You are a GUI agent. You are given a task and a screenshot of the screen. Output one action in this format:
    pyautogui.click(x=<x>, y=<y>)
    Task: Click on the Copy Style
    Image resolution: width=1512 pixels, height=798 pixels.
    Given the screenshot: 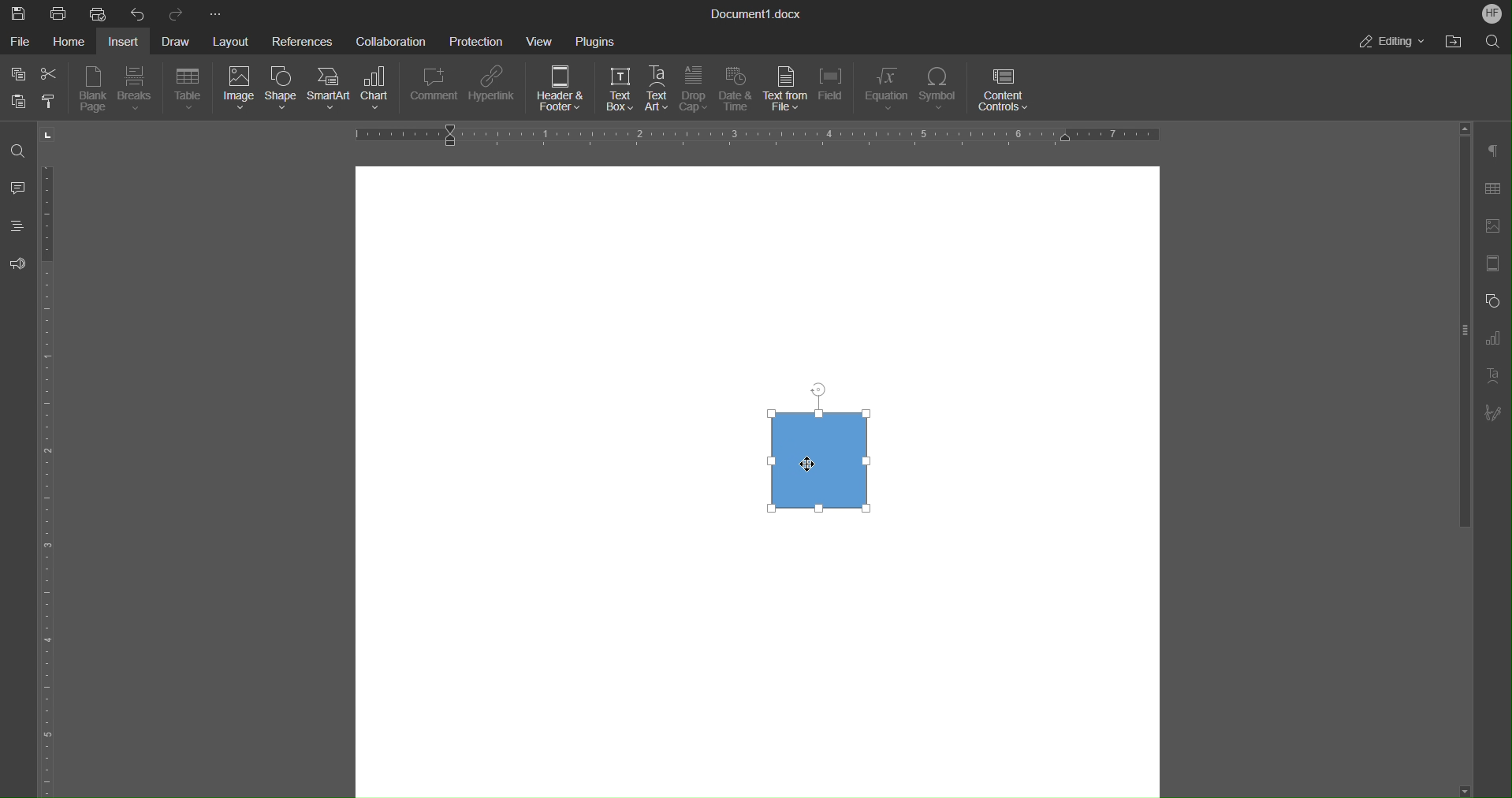 What is the action you would take?
    pyautogui.click(x=52, y=101)
    